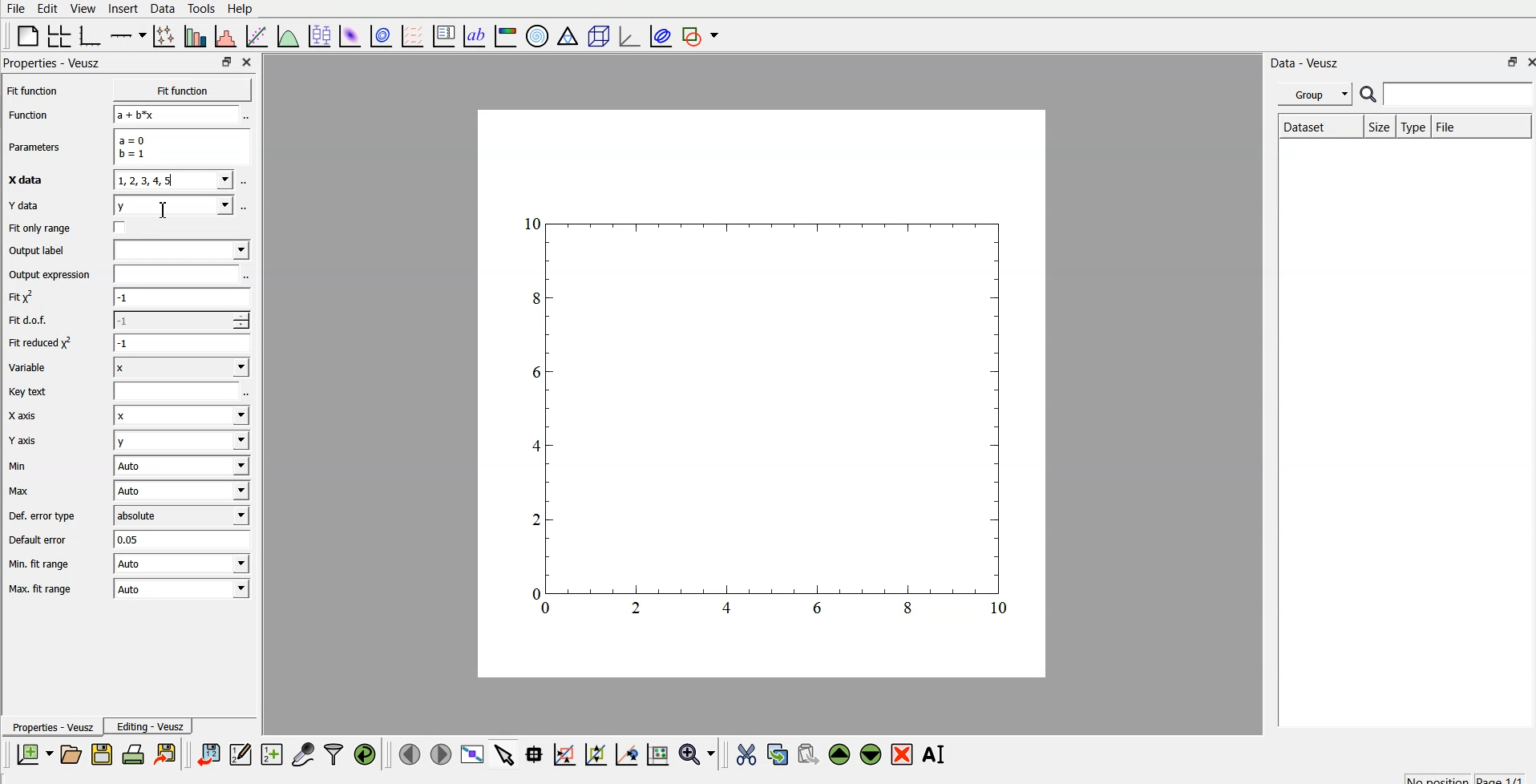 The width and height of the screenshot is (1536, 784). What do you see at coordinates (27, 34) in the screenshot?
I see `blank page` at bounding box center [27, 34].